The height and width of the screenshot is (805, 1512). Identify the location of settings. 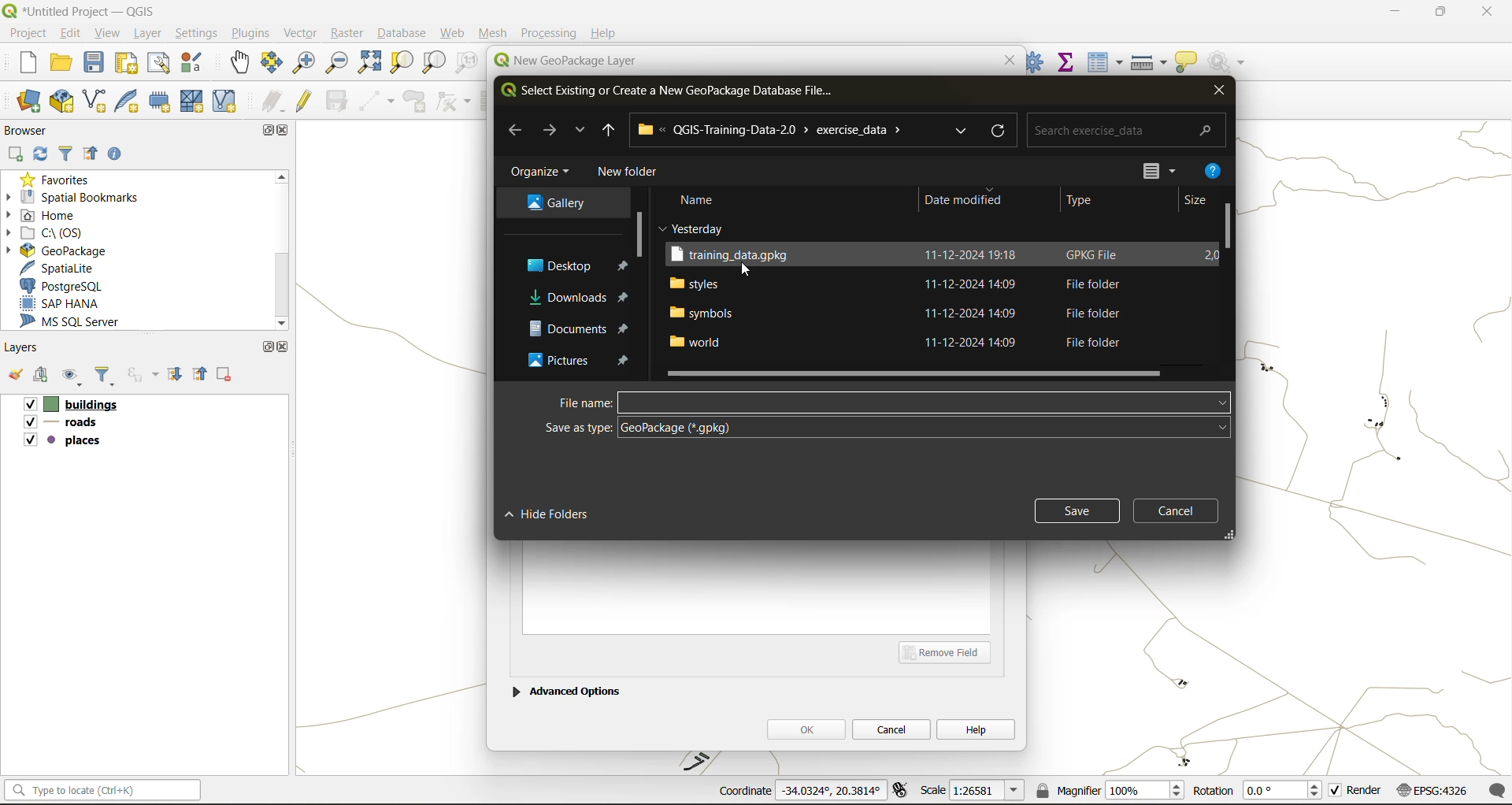
(197, 33).